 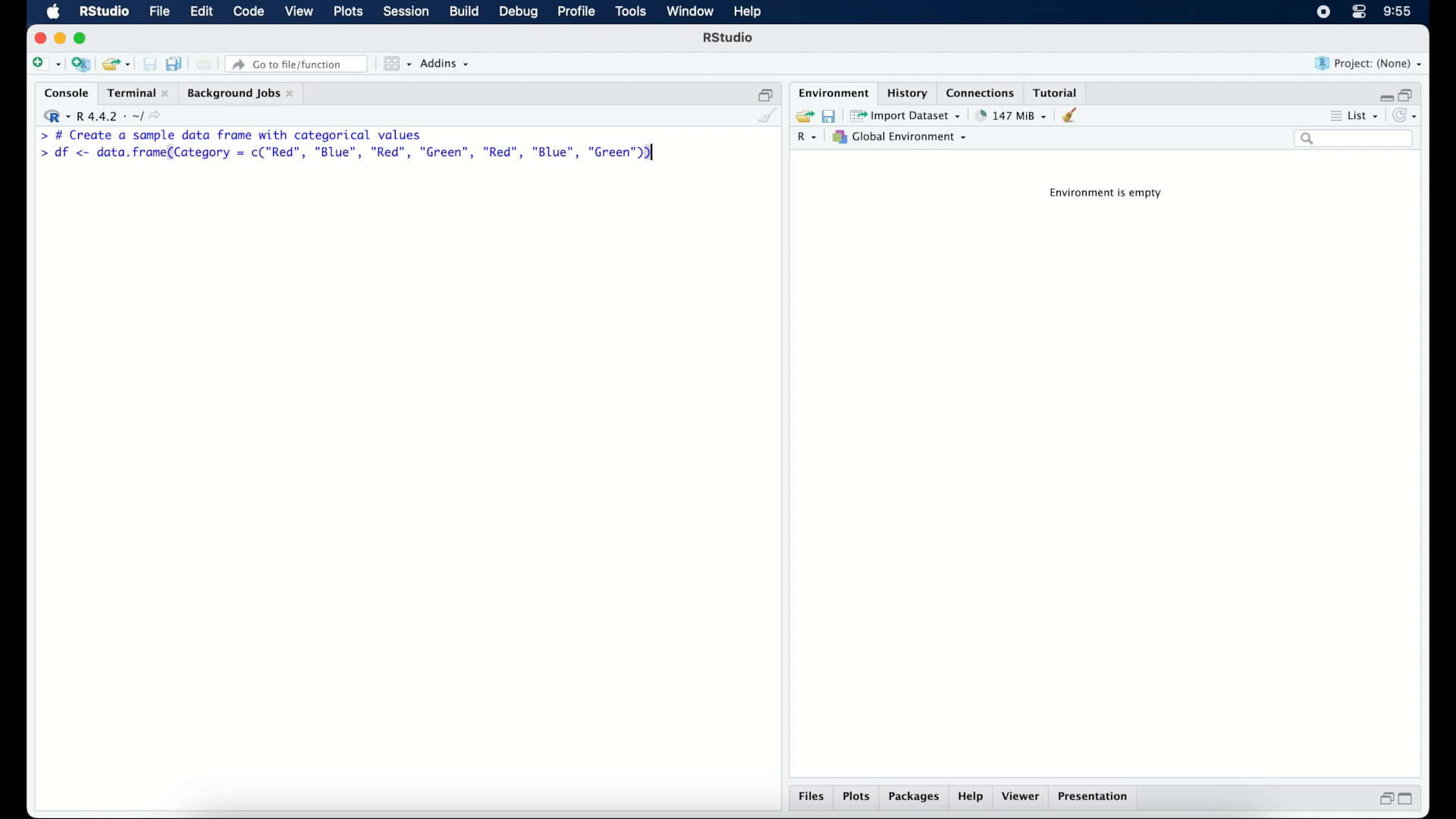 I want to click on R, so click(x=810, y=138).